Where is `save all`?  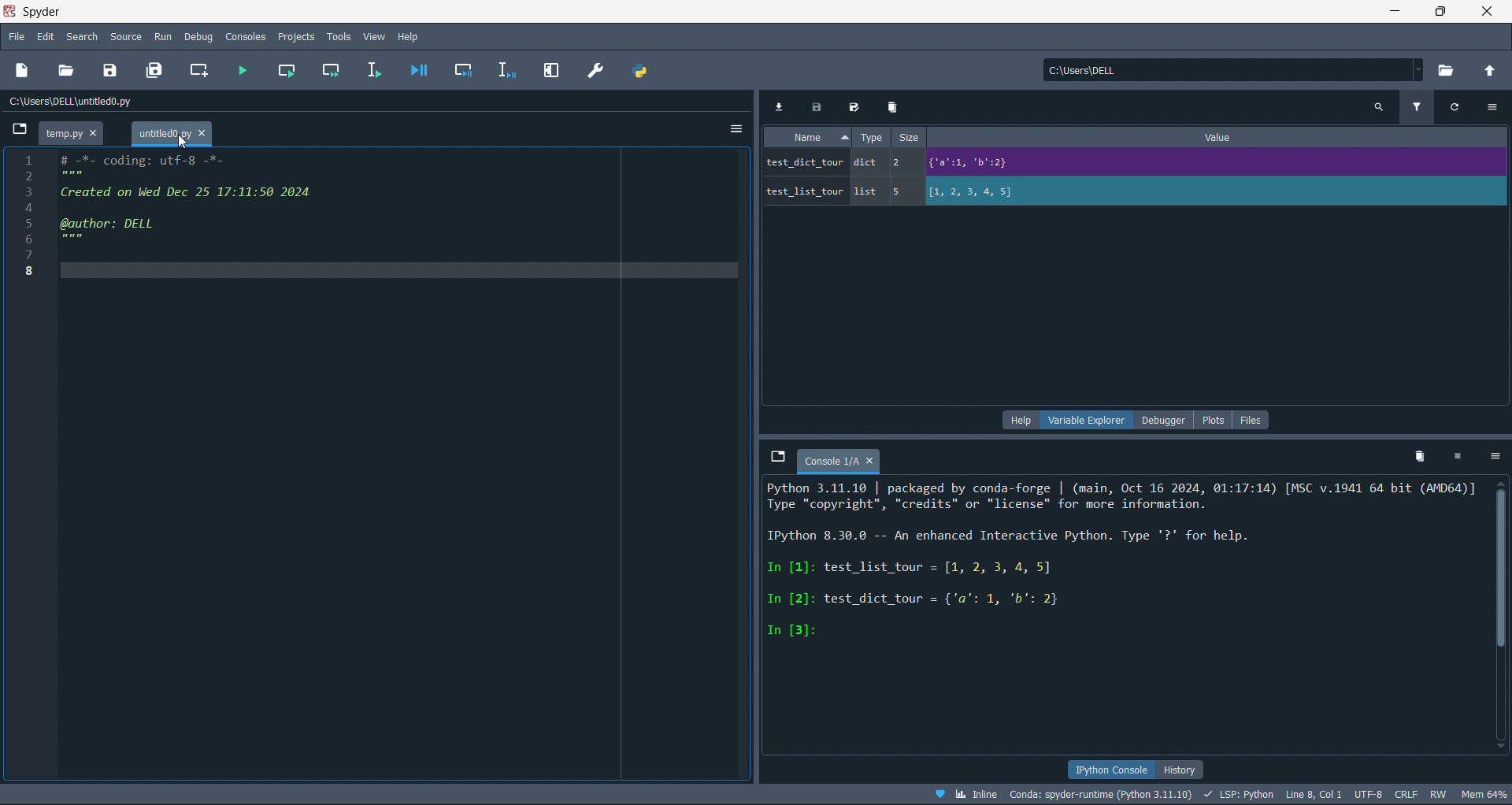 save all is located at coordinates (158, 69).